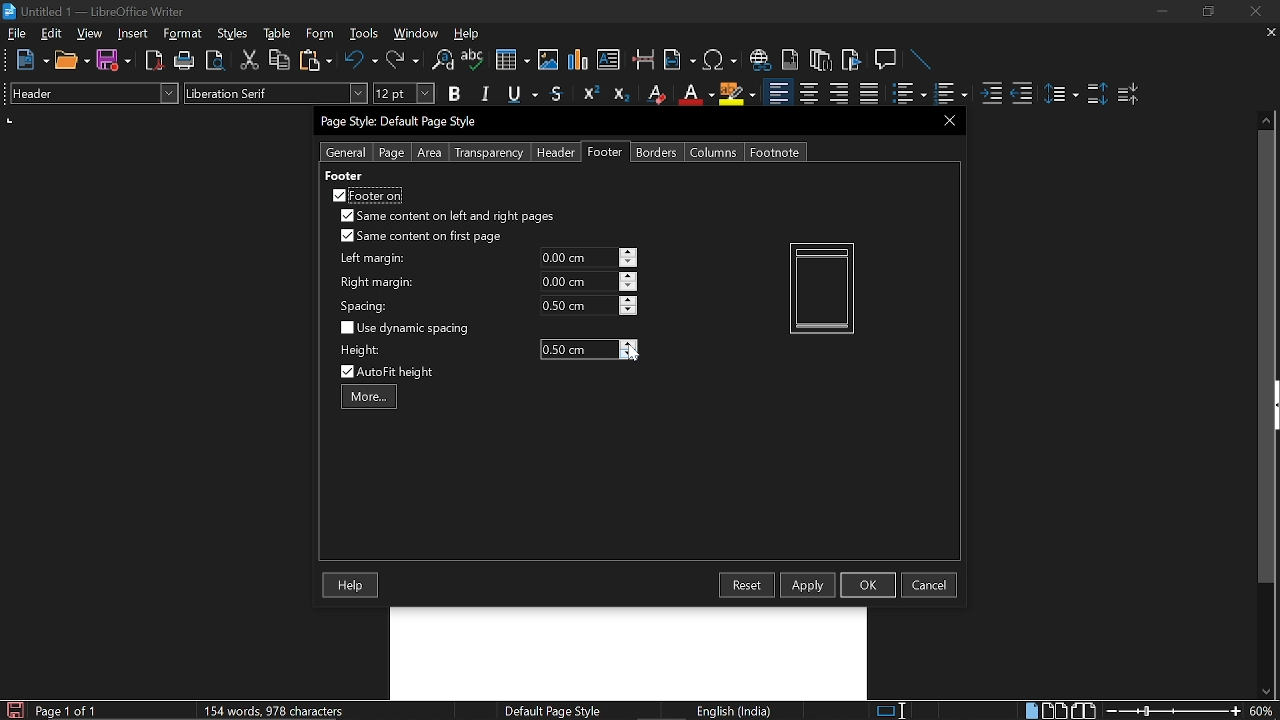 This screenshot has height=720, width=1280. I want to click on Increase height hey Cortana, so click(628, 343).